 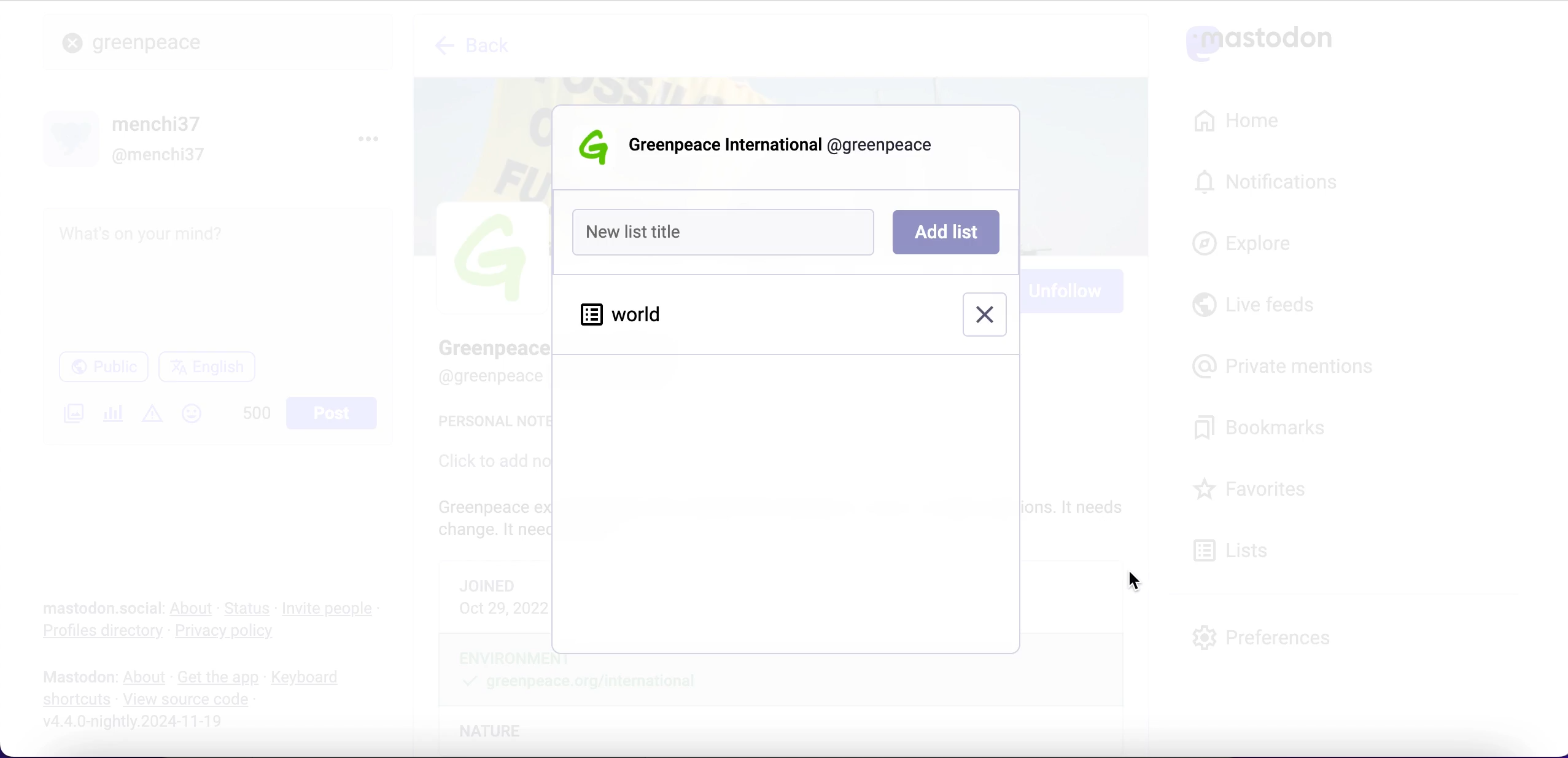 I want to click on add a poll, so click(x=112, y=418).